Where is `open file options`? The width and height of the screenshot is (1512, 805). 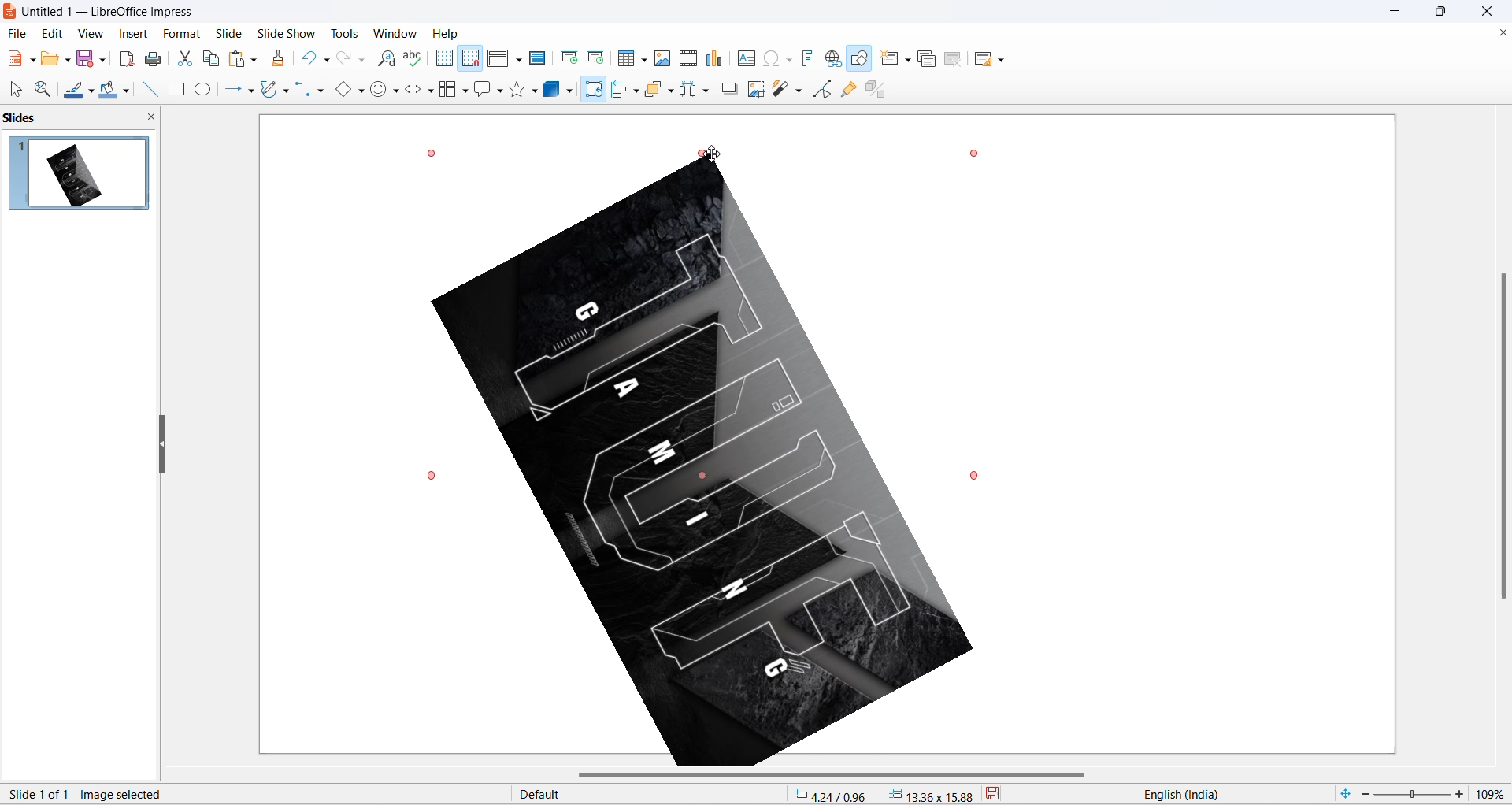
open file options is located at coordinates (68, 62).